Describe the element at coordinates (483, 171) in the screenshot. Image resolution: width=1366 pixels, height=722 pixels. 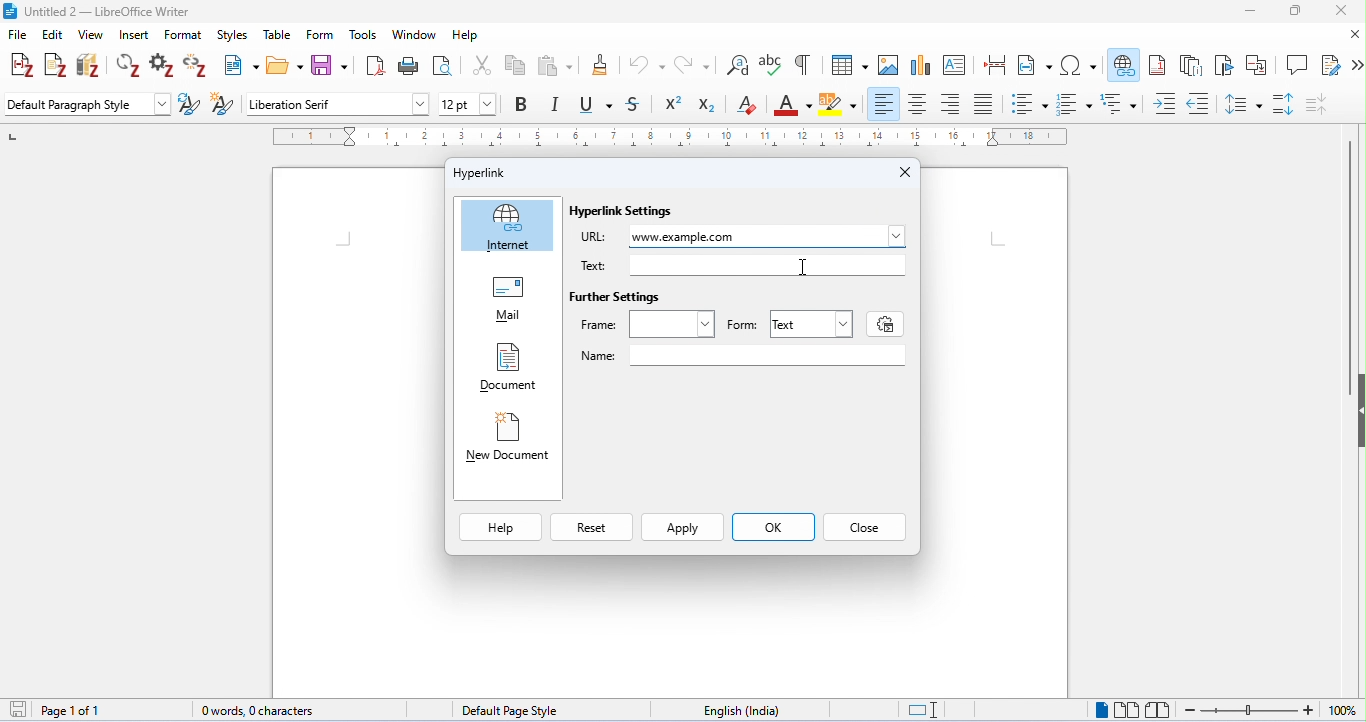
I see `Hyperlink` at that location.